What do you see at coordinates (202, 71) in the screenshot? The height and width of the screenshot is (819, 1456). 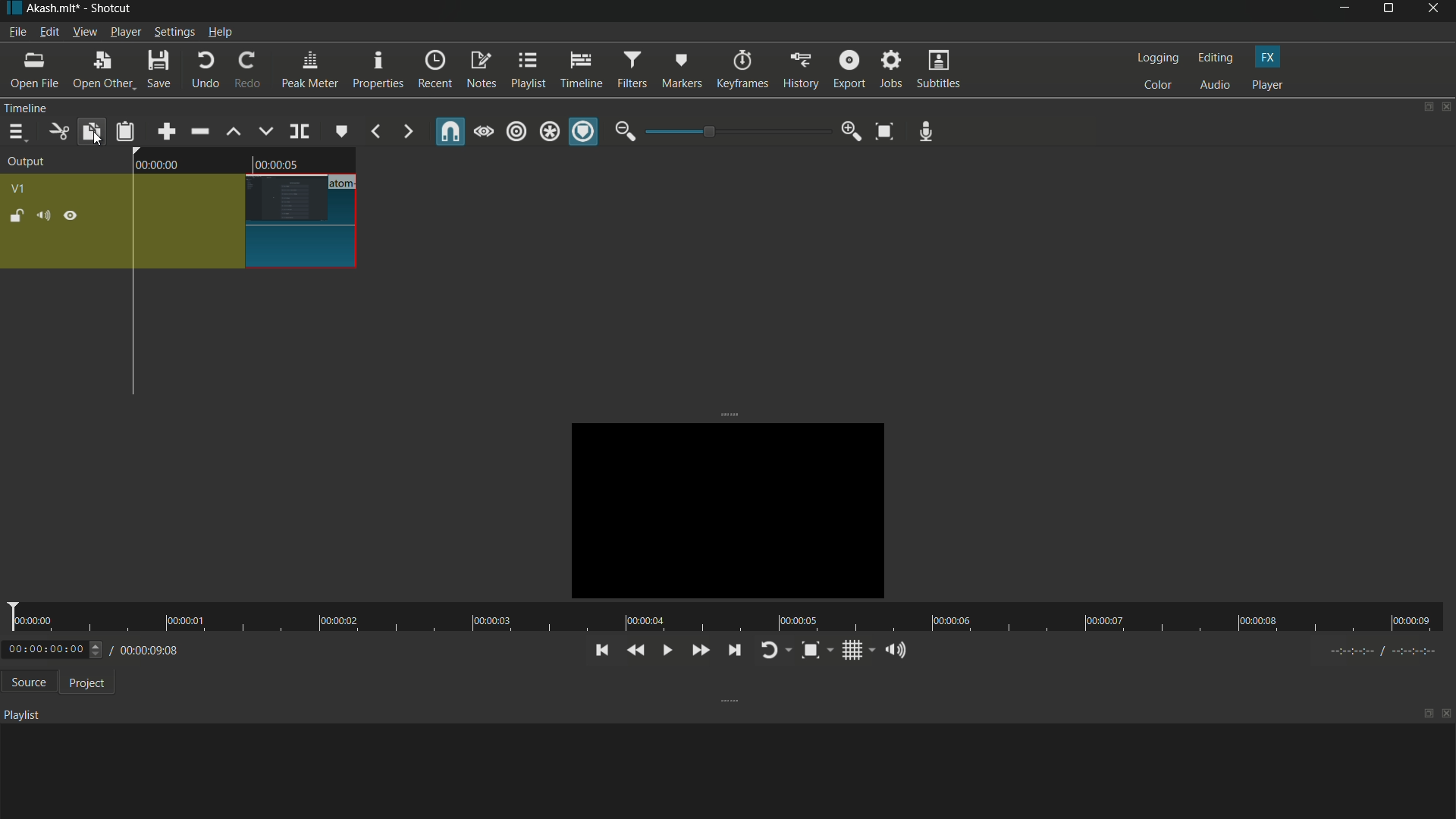 I see `undo` at bounding box center [202, 71].